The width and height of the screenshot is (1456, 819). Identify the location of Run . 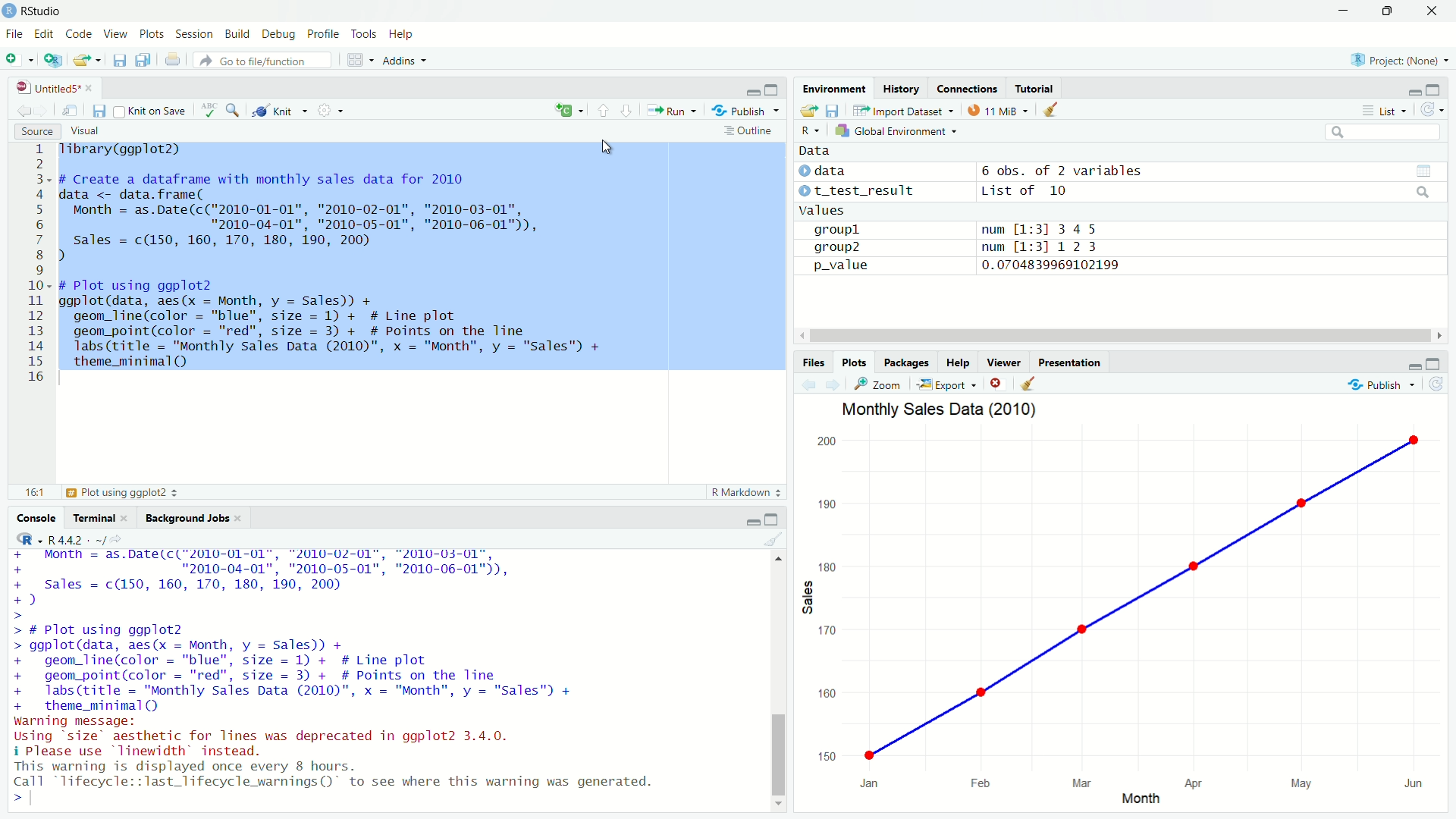
(673, 111).